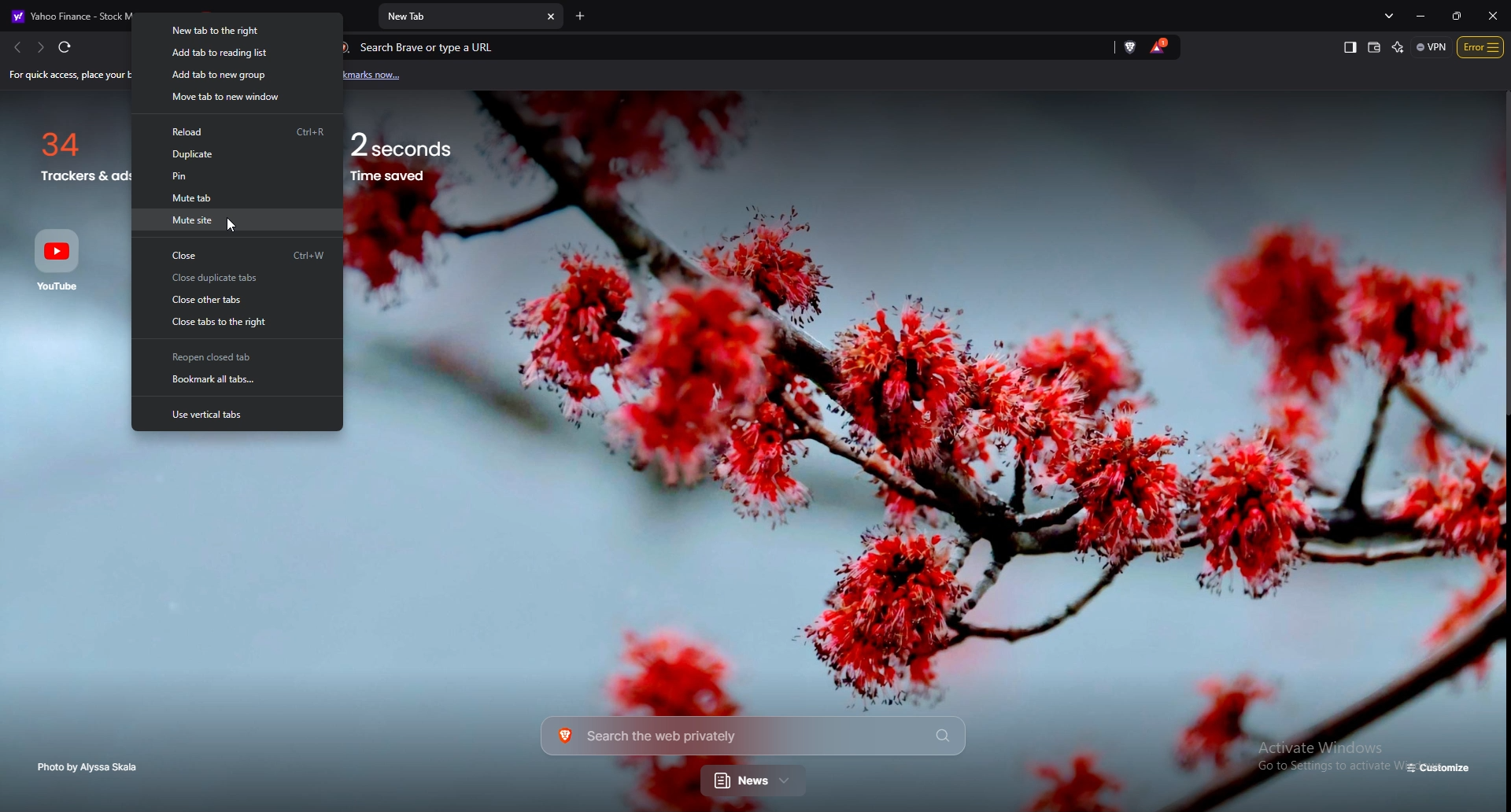 The image size is (1511, 812). I want to click on news, so click(755, 782).